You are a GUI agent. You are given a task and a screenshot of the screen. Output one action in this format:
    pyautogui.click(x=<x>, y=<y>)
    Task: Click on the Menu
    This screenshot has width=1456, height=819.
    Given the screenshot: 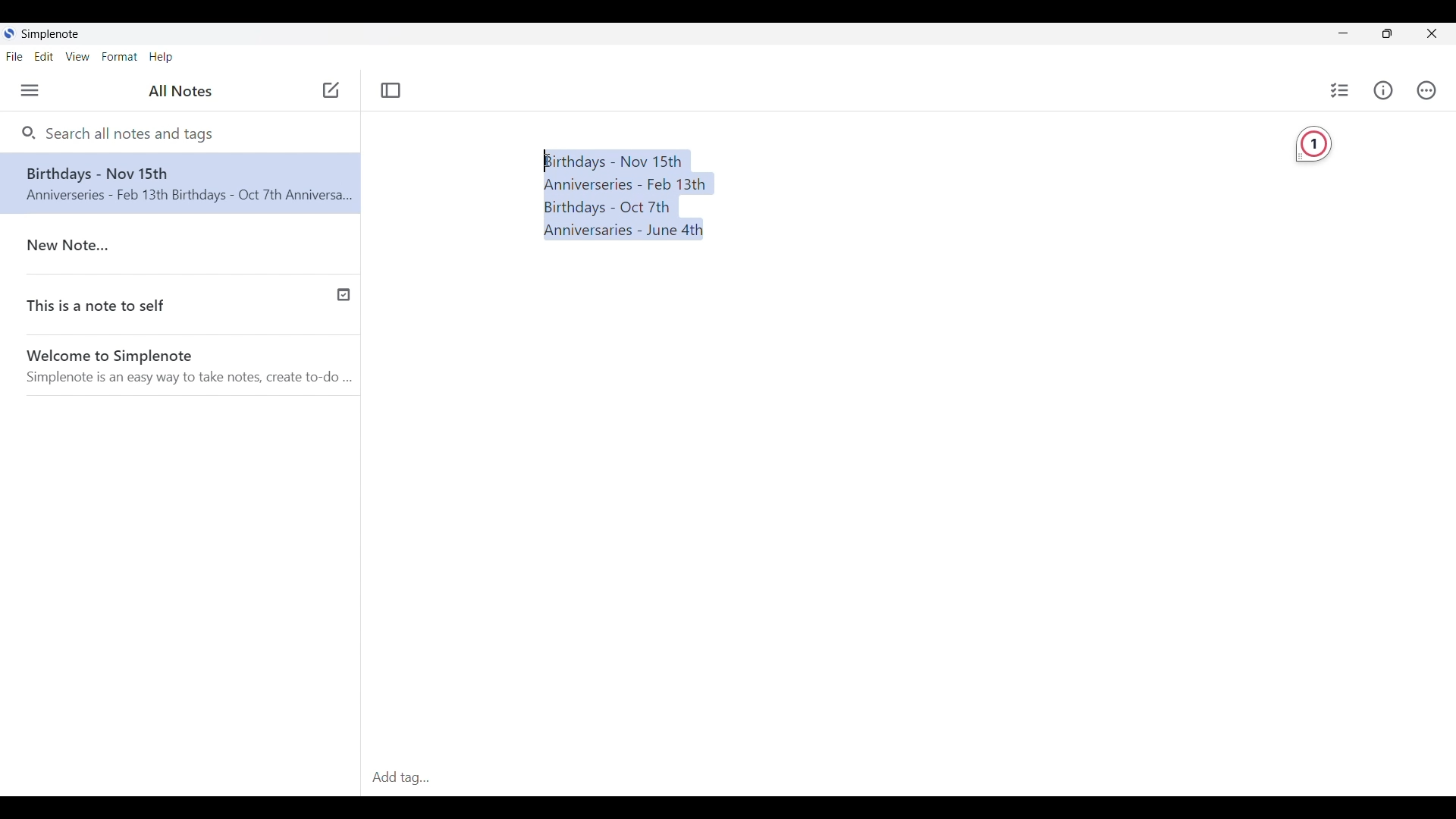 What is the action you would take?
    pyautogui.click(x=30, y=90)
    